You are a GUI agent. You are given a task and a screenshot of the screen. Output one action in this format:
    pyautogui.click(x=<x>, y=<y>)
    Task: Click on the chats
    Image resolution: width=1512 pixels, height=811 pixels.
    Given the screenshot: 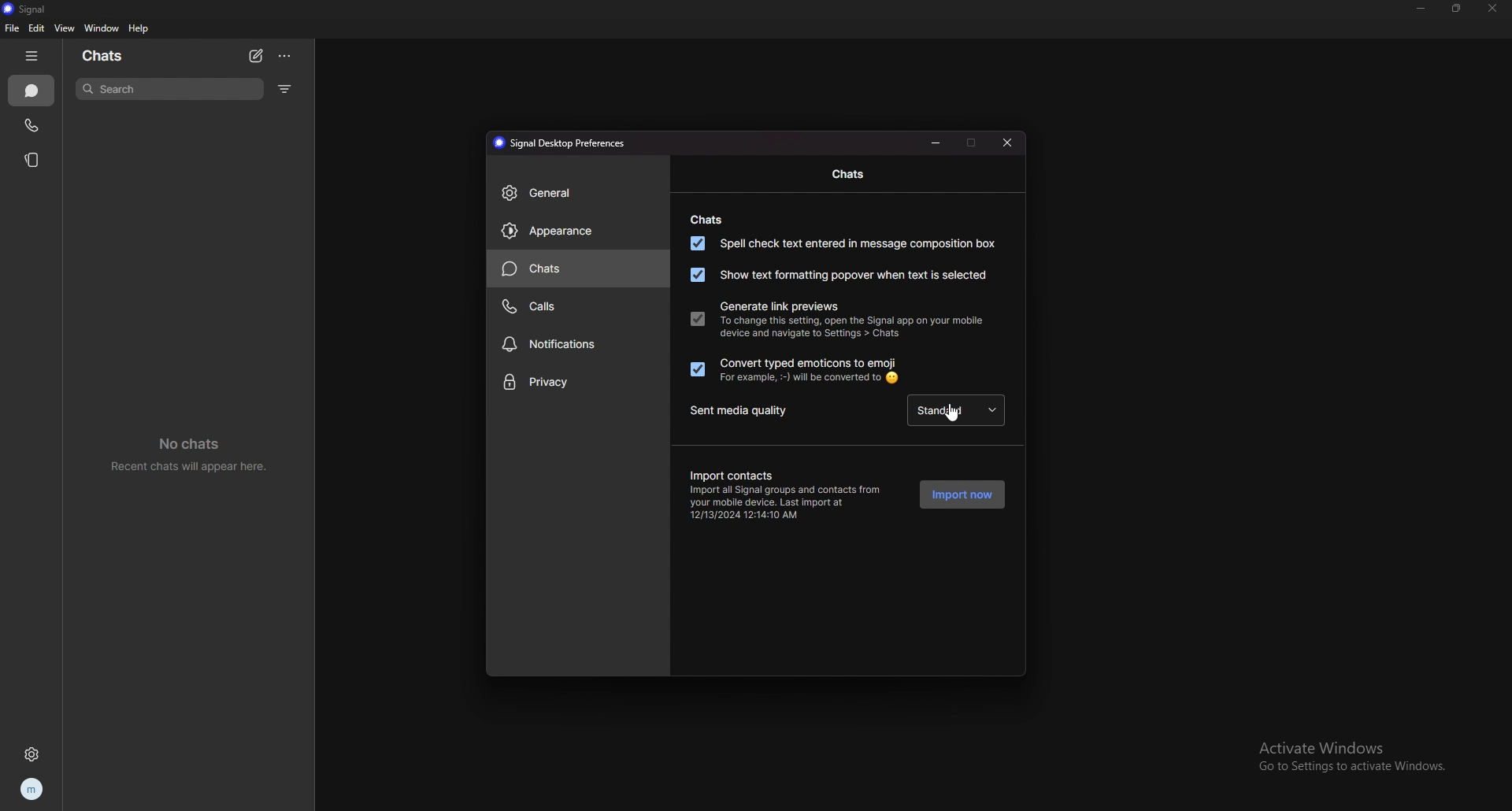 What is the action you would take?
    pyautogui.click(x=104, y=55)
    